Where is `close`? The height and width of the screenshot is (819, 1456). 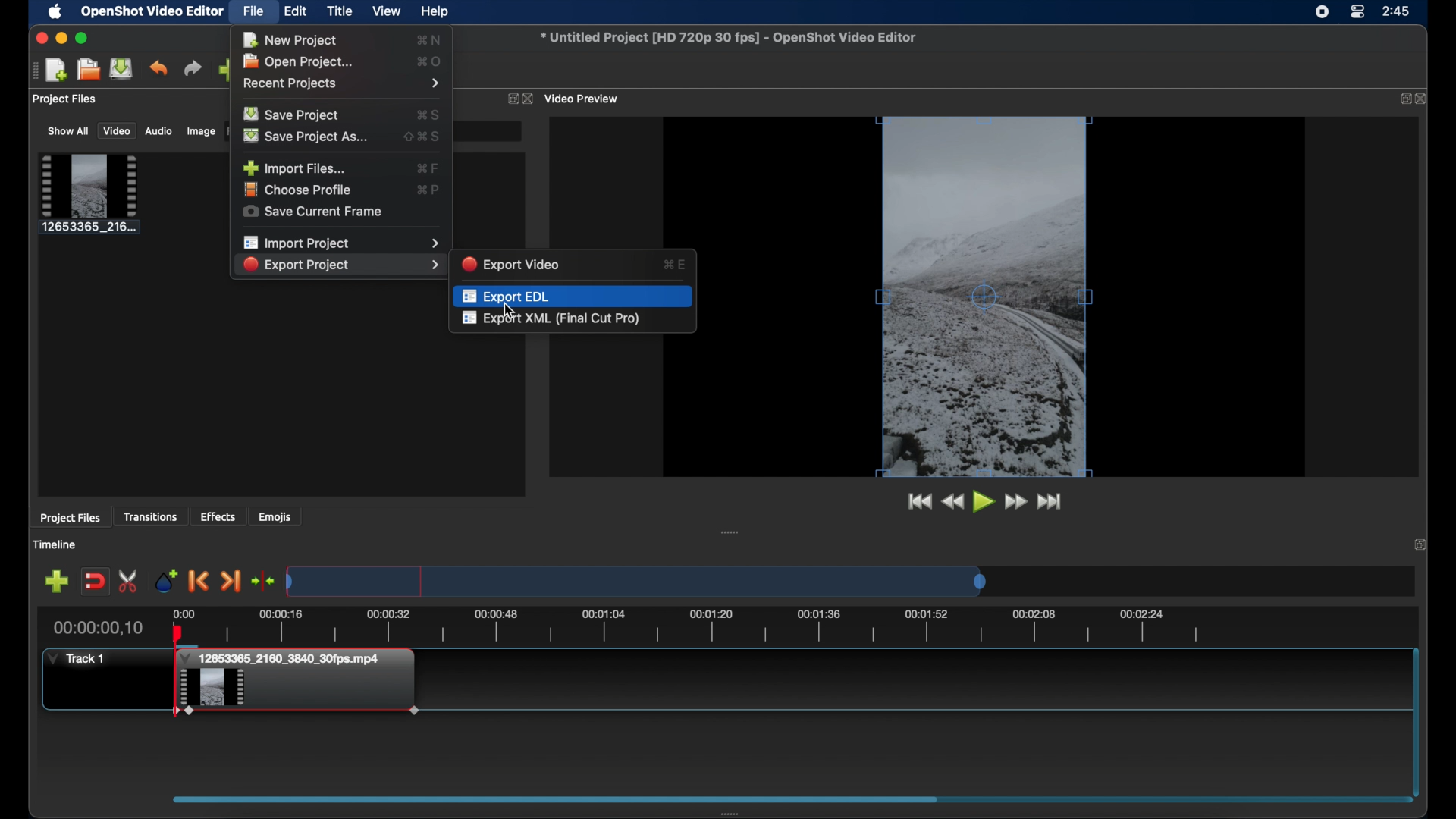
close is located at coordinates (1423, 99).